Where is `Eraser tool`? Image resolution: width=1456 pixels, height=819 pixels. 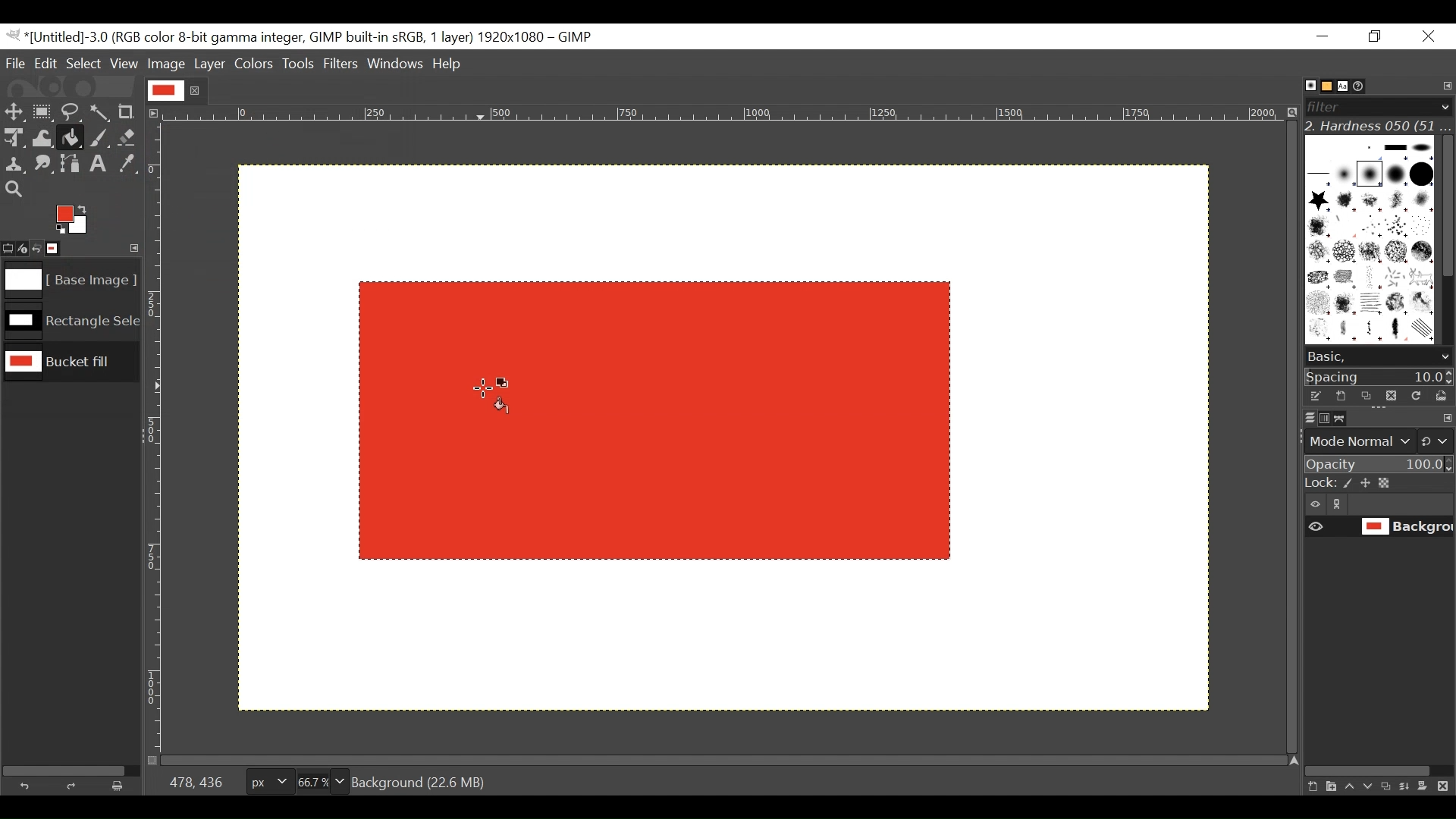
Eraser tool is located at coordinates (129, 139).